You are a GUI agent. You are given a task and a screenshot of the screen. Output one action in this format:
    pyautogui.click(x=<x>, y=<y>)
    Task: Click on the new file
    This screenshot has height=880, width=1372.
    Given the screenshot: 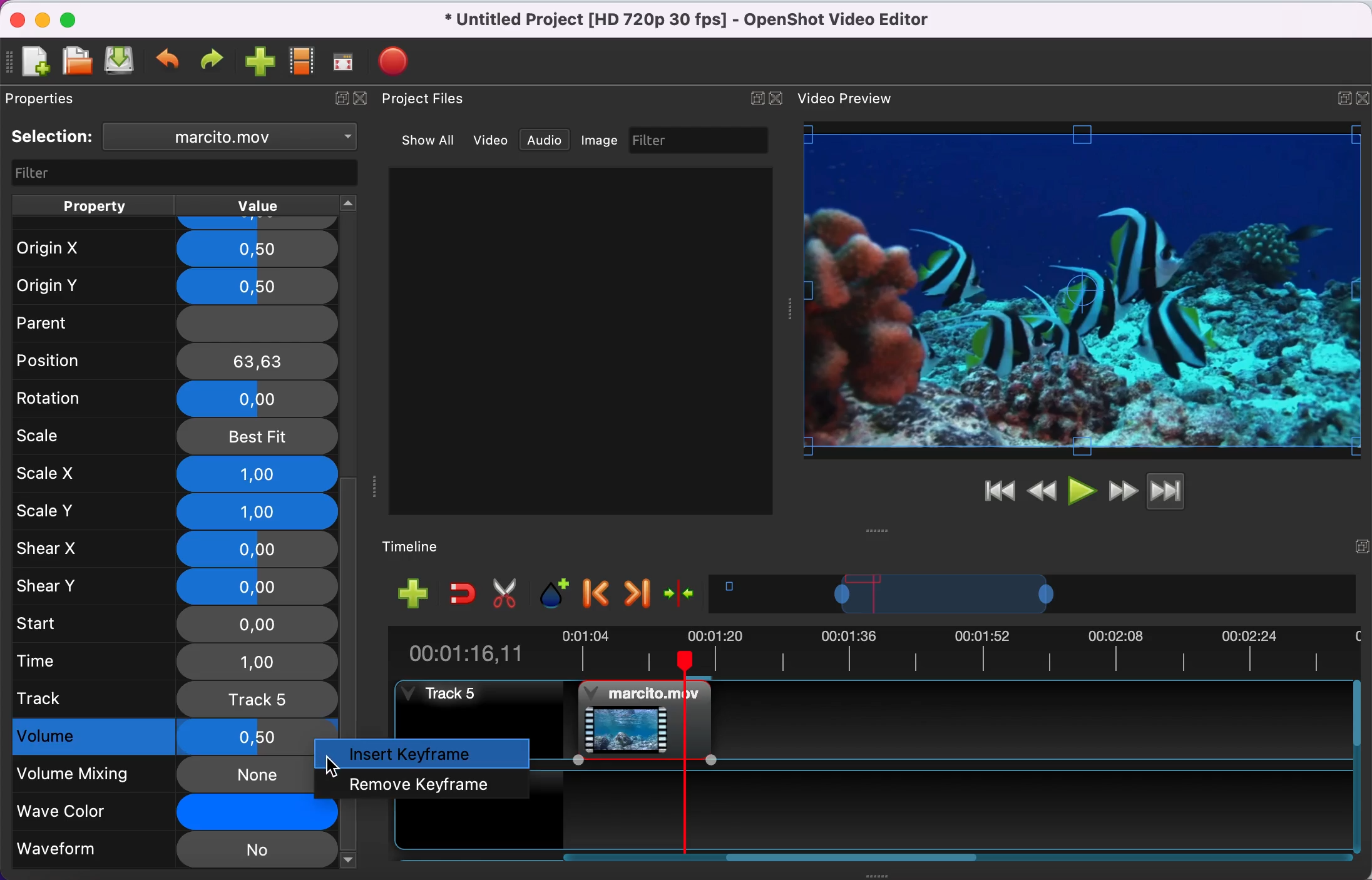 What is the action you would take?
    pyautogui.click(x=35, y=61)
    